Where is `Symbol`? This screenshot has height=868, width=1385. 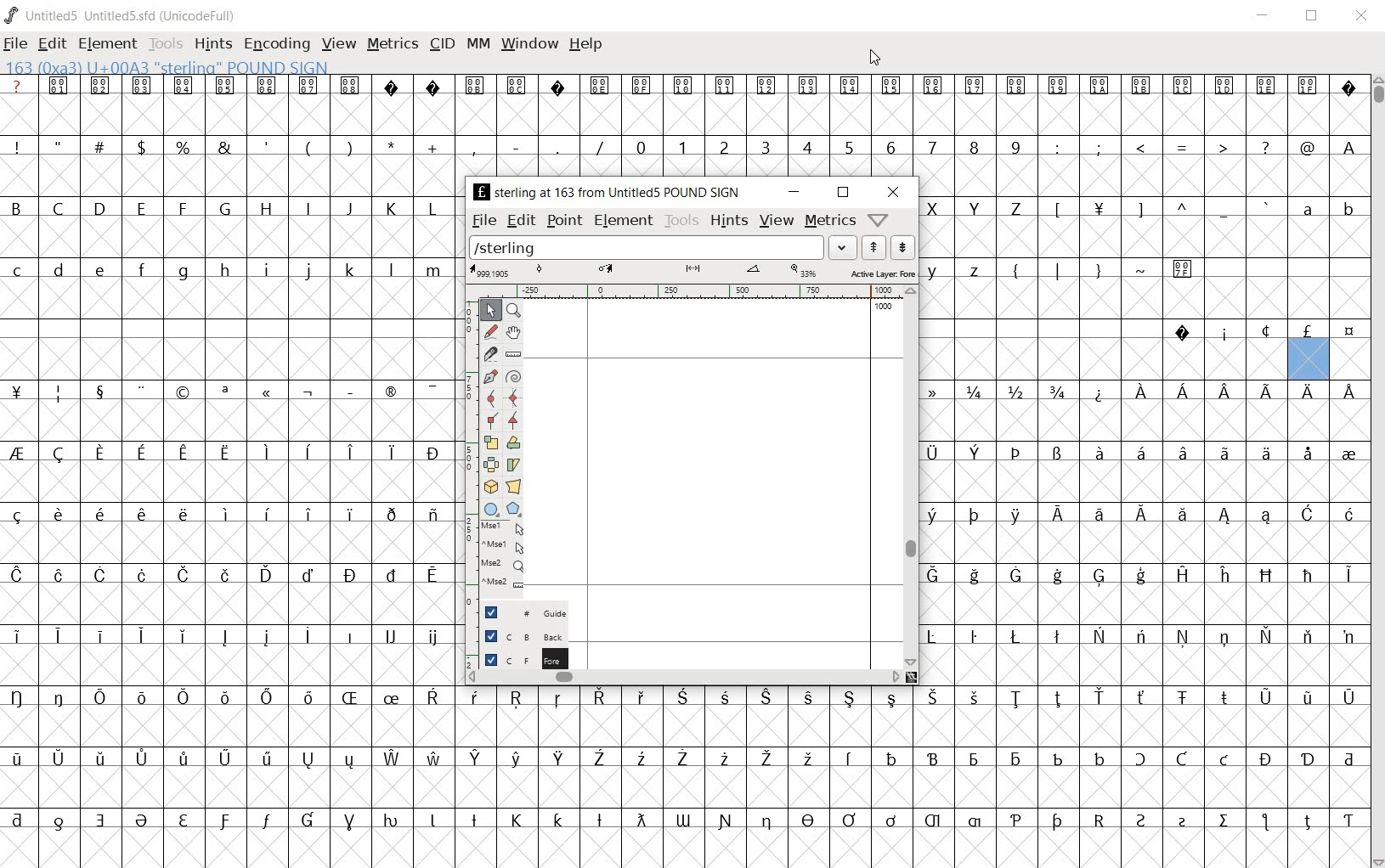 Symbol is located at coordinates (309, 86).